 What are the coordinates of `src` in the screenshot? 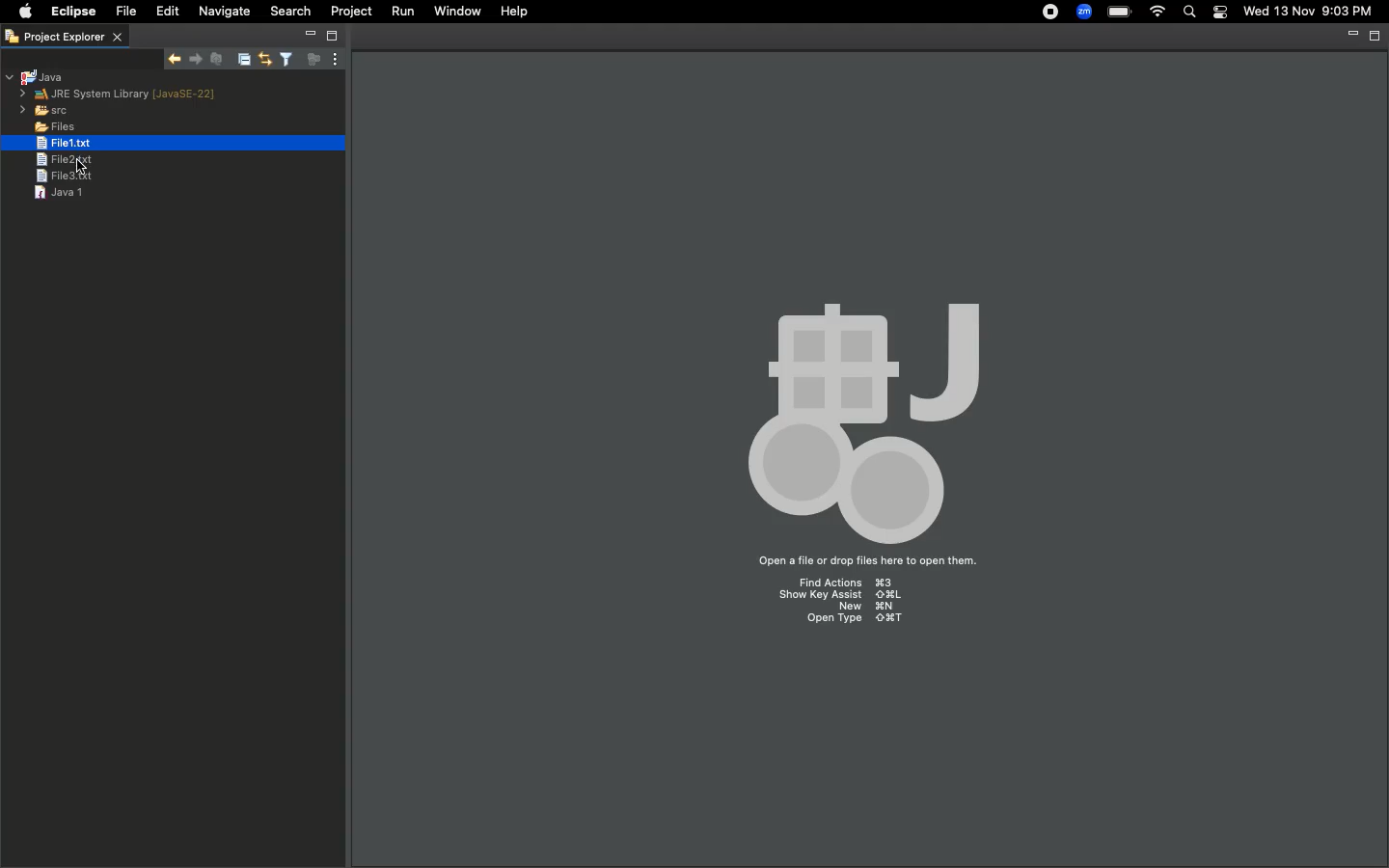 It's located at (44, 110).